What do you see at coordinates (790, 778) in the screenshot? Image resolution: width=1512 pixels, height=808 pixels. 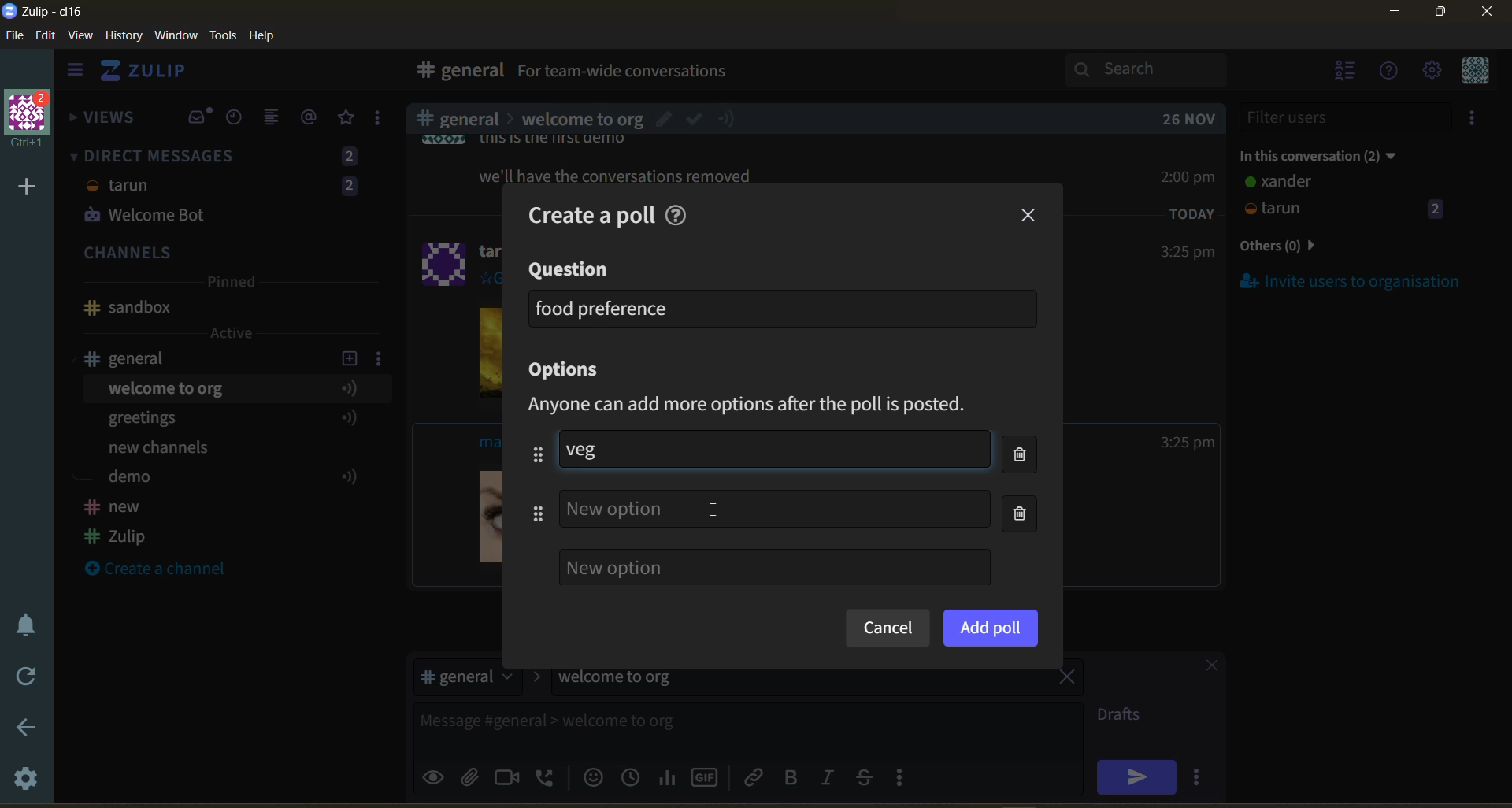 I see `bold` at bounding box center [790, 778].